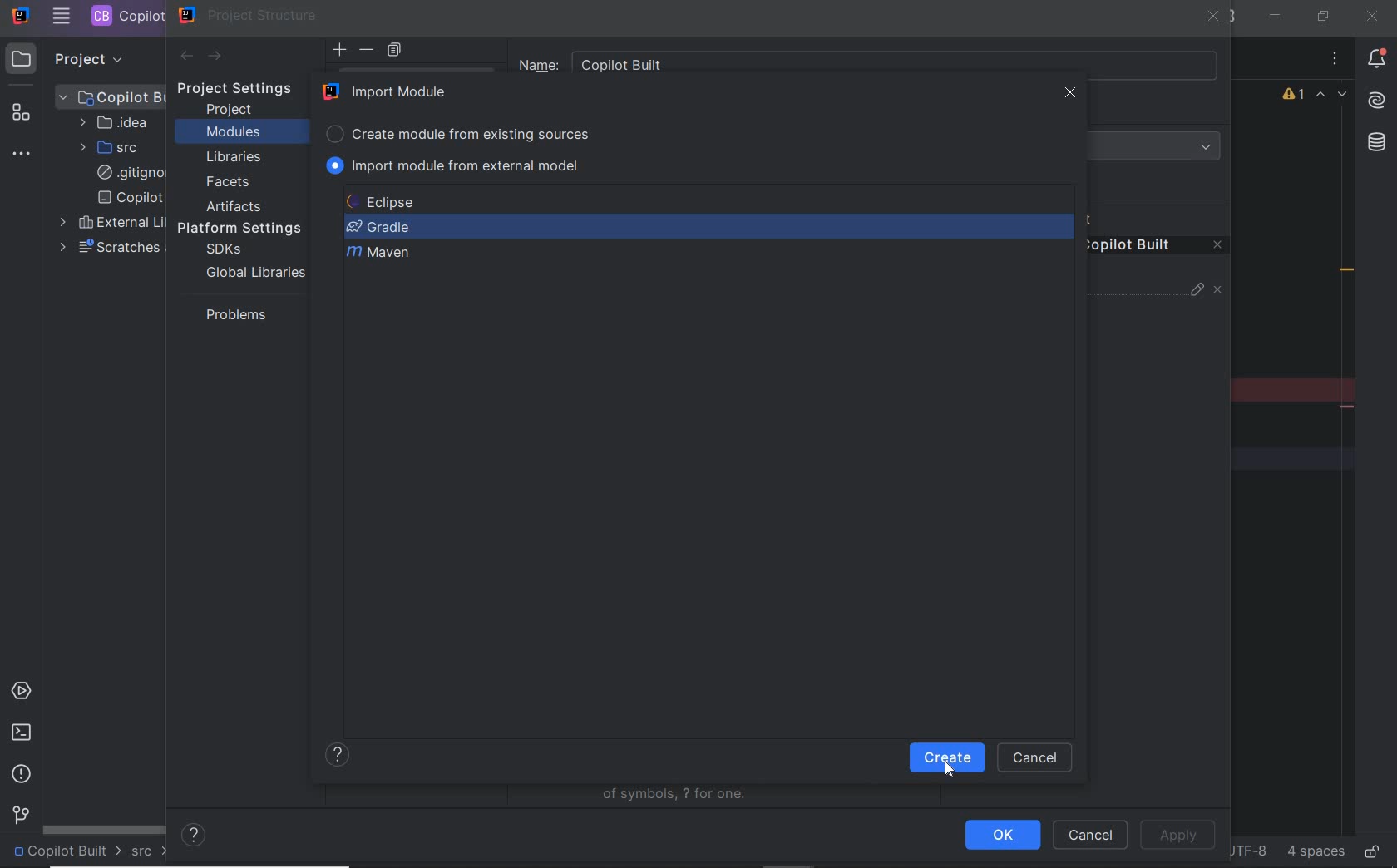  I want to click on SRC, so click(111, 147).